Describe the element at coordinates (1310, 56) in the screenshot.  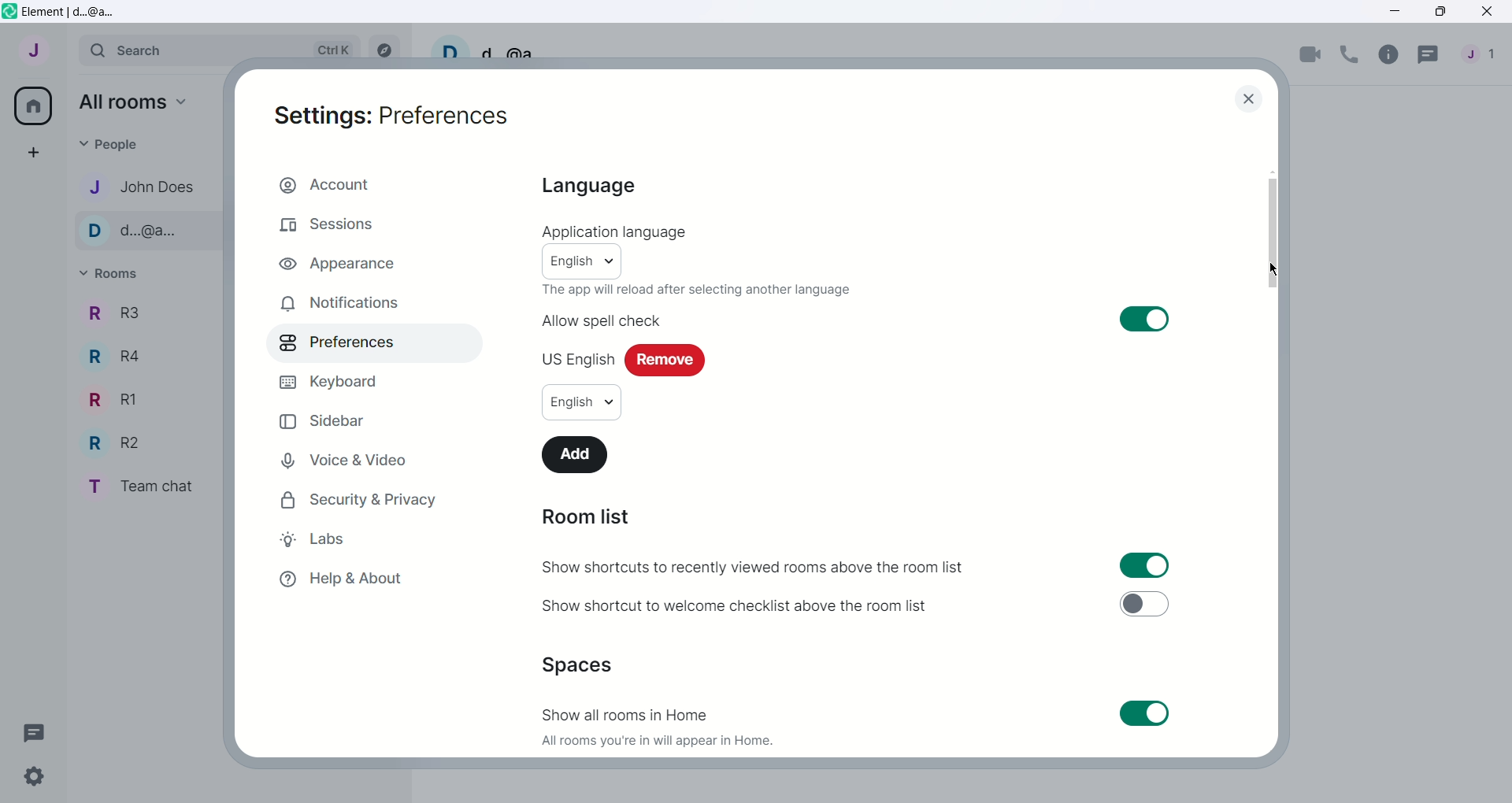
I see `Video call` at that location.